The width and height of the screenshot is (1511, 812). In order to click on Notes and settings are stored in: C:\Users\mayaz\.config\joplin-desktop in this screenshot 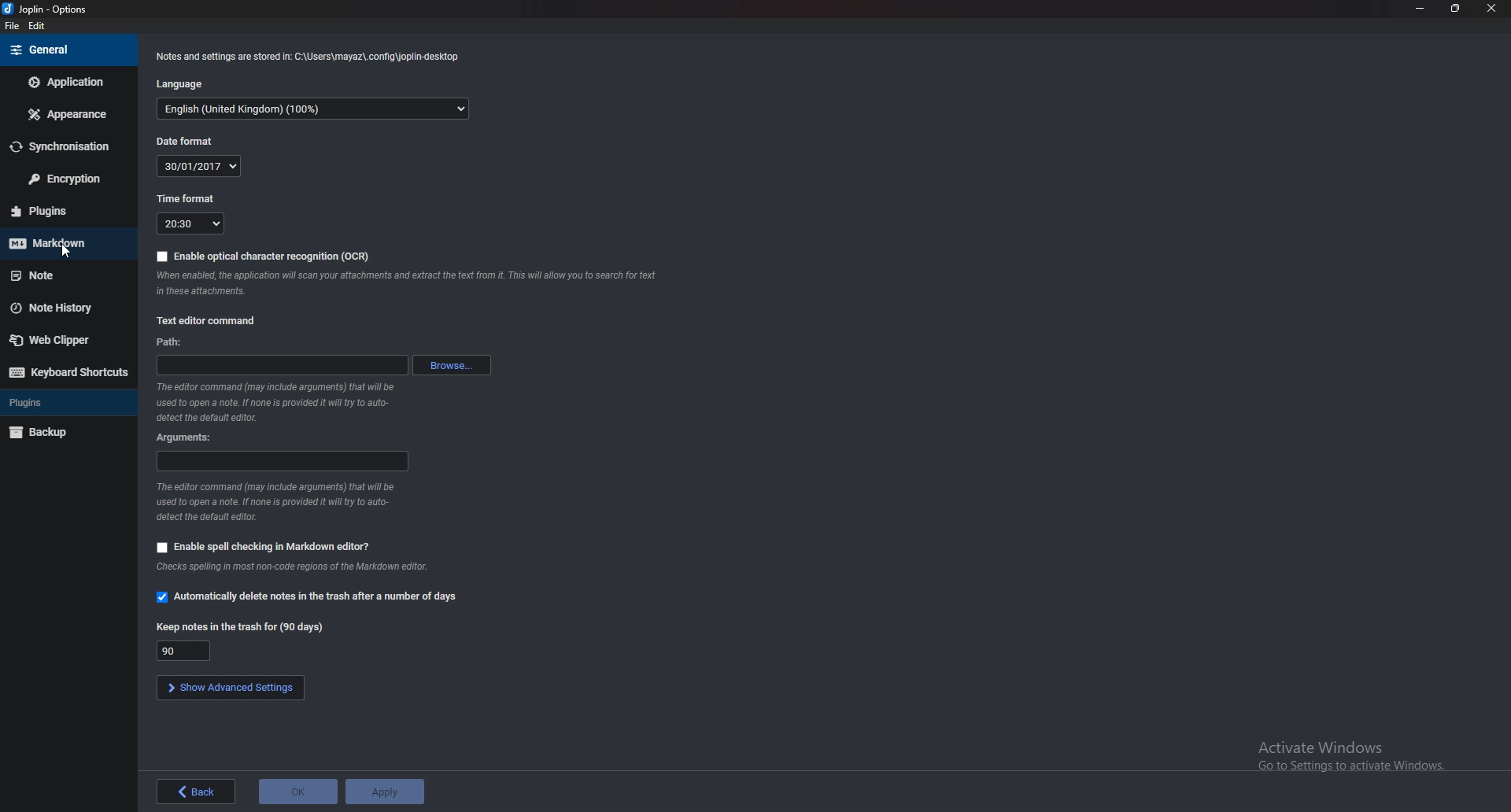, I will do `click(308, 54)`.